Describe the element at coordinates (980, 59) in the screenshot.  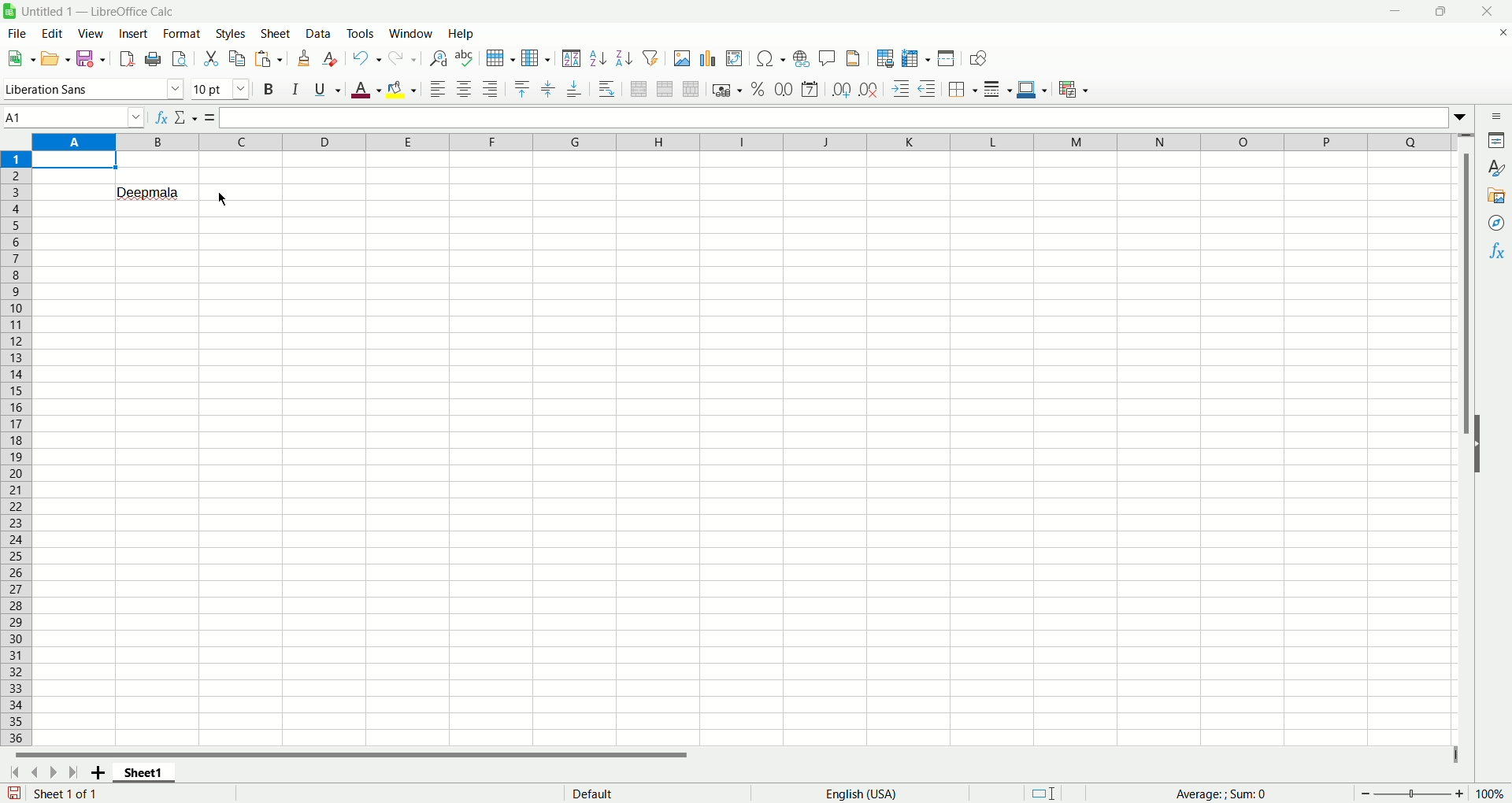
I see `Show draw fuctions` at that location.